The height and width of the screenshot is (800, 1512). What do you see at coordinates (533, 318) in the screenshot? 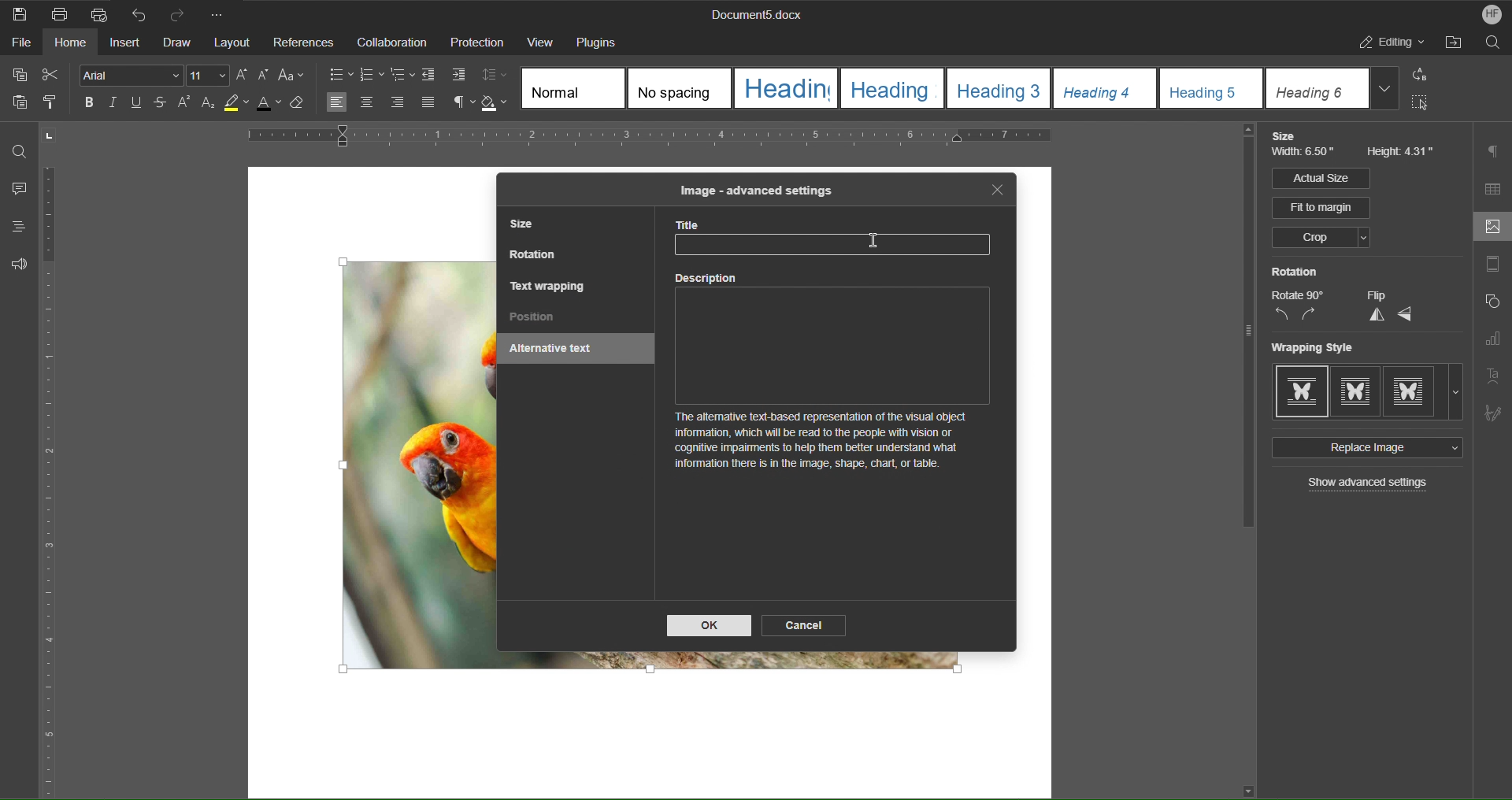
I see `Position` at bounding box center [533, 318].